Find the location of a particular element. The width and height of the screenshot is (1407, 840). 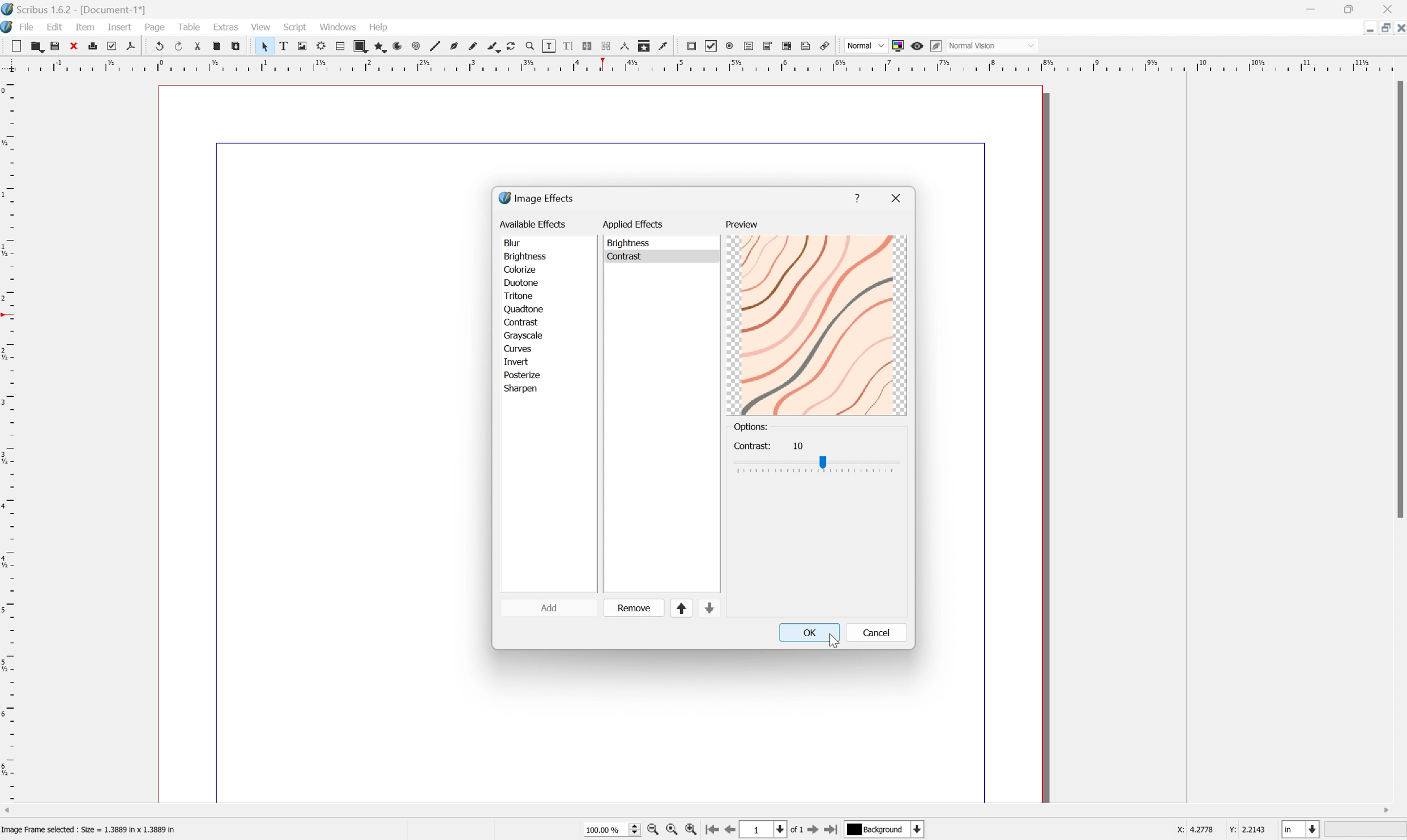

Minimize is located at coordinates (1386, 29).